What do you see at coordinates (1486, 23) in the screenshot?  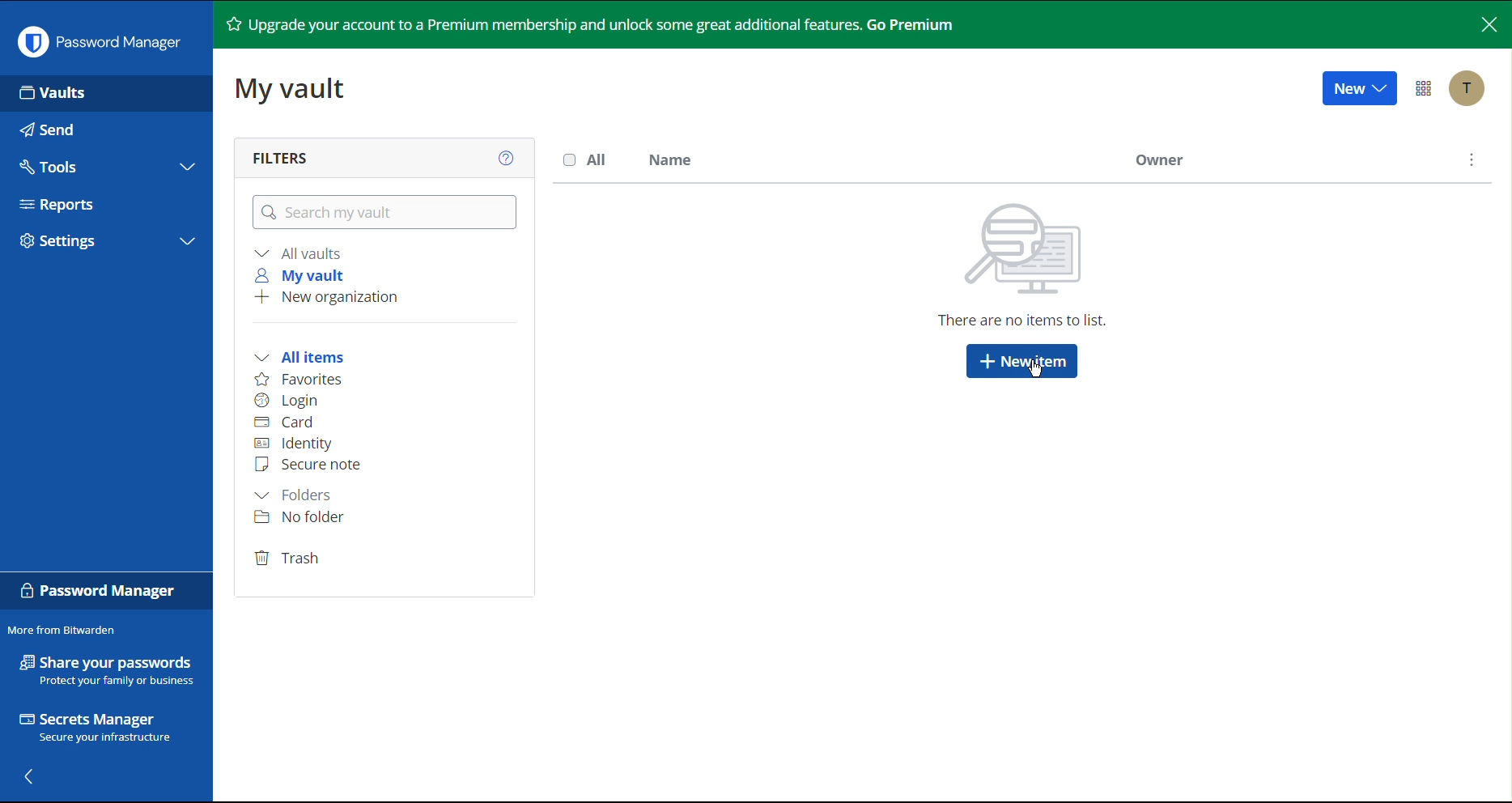 I see `Close` at bounding box center [1486, 23].